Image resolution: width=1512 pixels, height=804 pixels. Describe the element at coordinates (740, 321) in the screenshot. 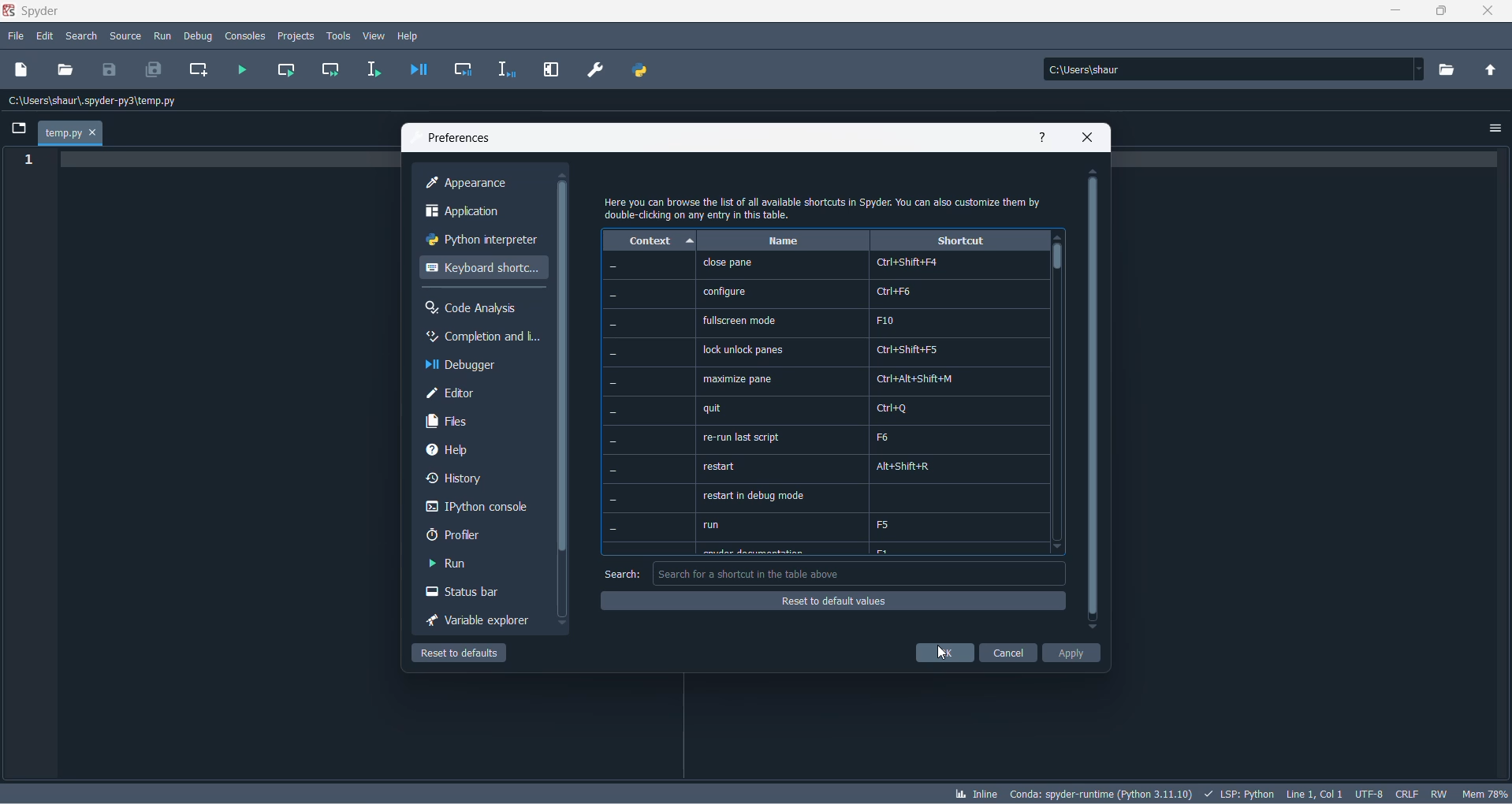

I see `fullscreen mode` at that location.